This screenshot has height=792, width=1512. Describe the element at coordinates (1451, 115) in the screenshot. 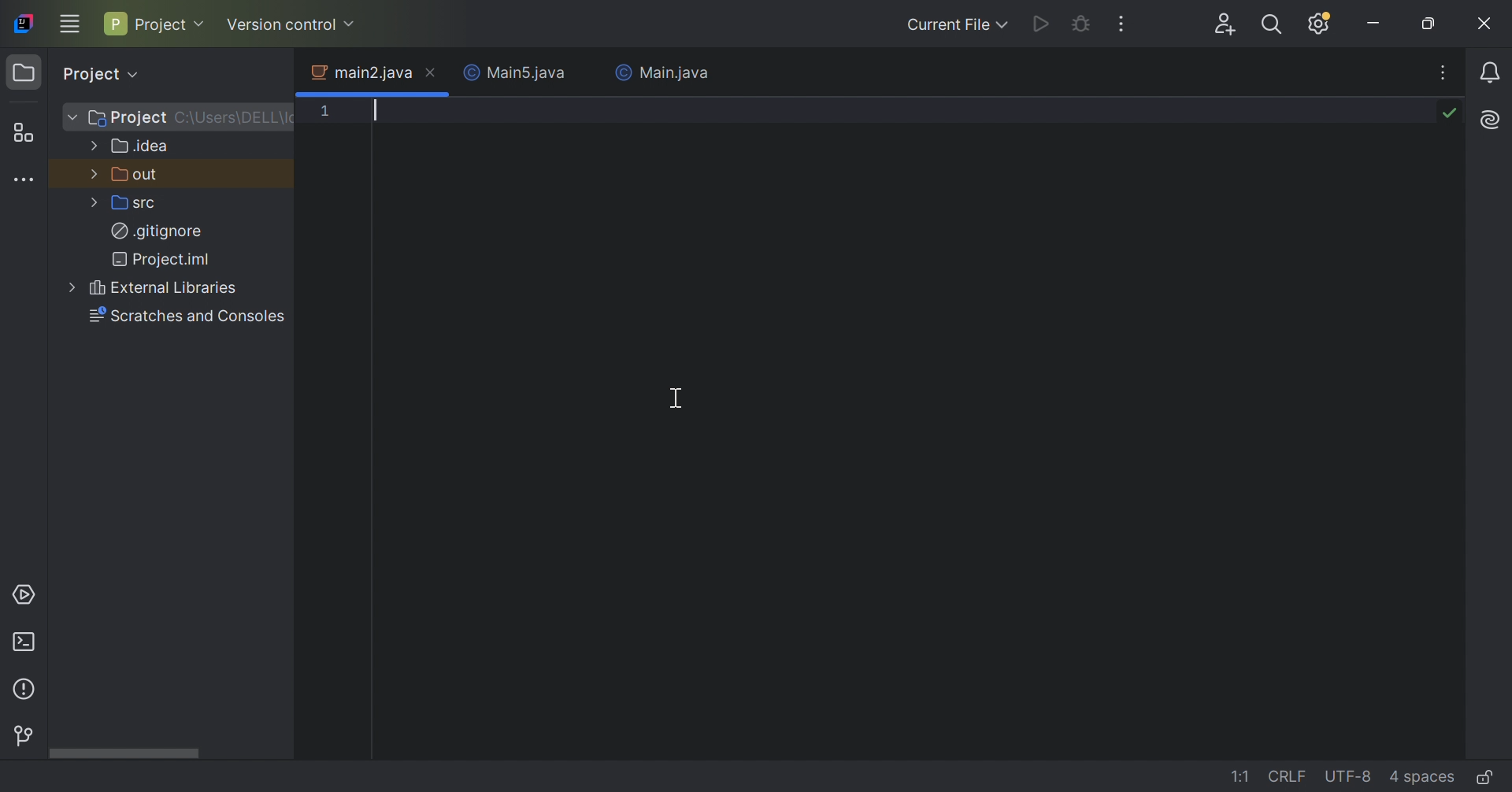

I see `No problems found` at that location.